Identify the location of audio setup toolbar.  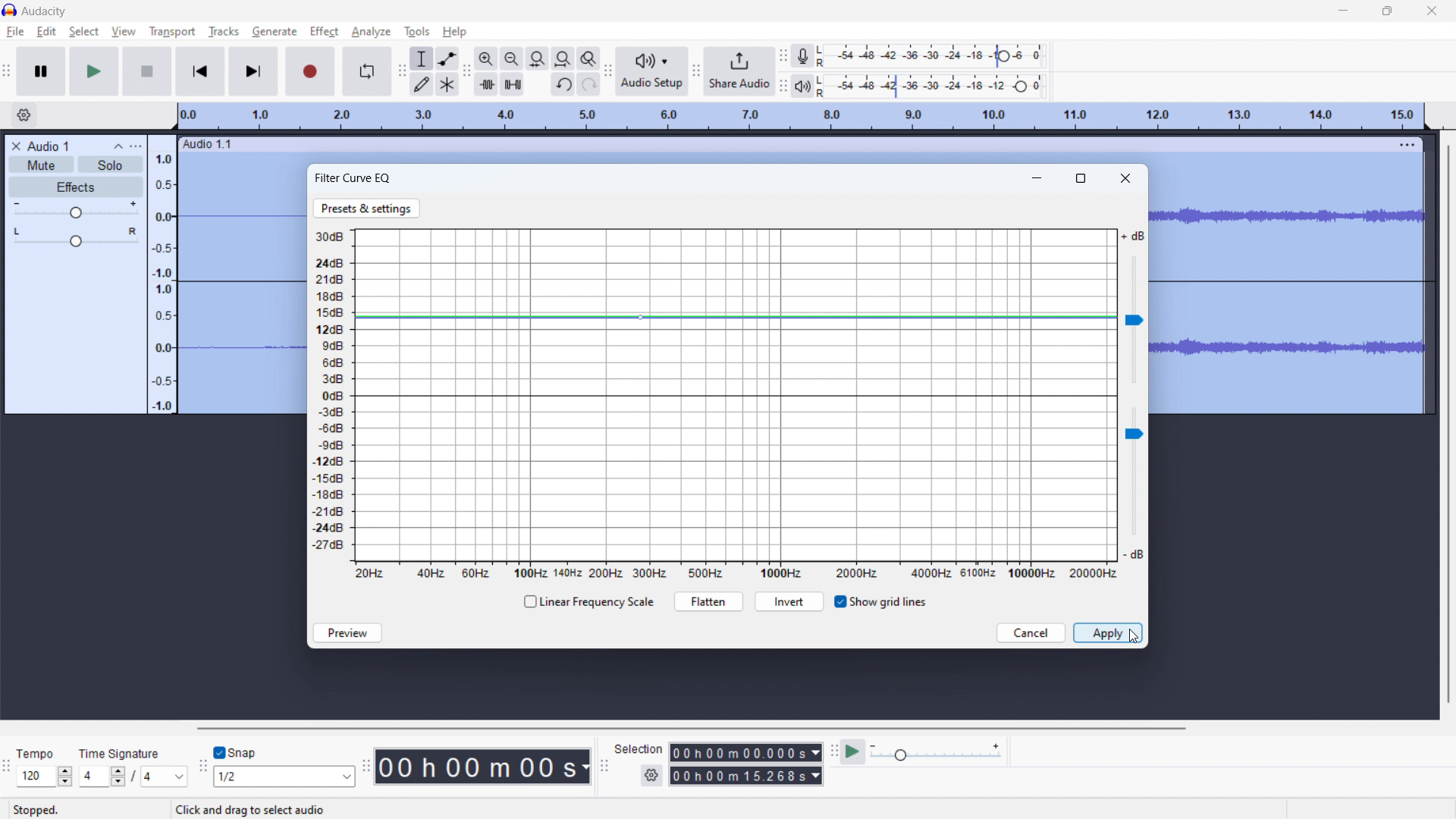
(608, 71).